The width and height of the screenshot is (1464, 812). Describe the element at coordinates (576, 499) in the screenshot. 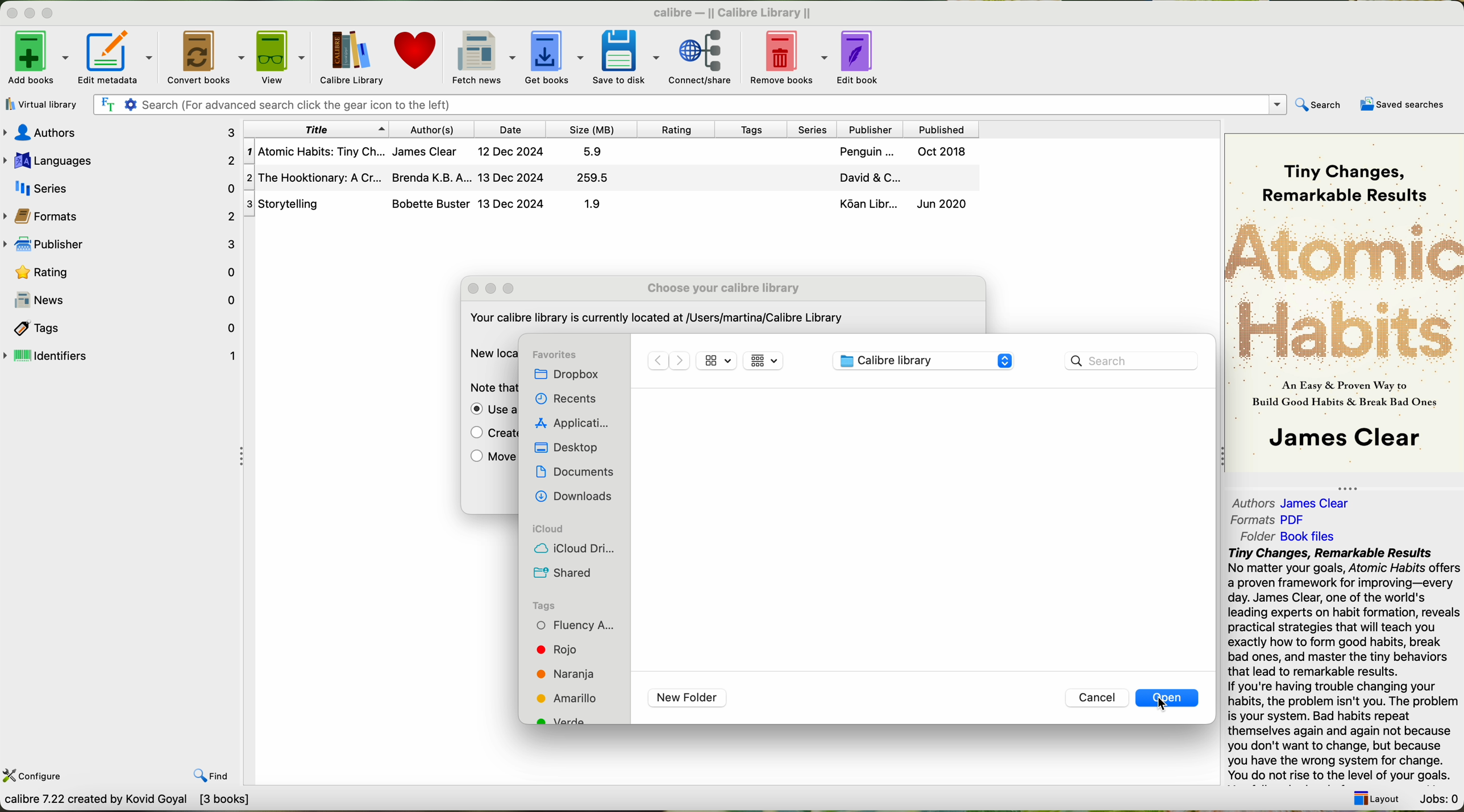

I see `downloads` at that location.